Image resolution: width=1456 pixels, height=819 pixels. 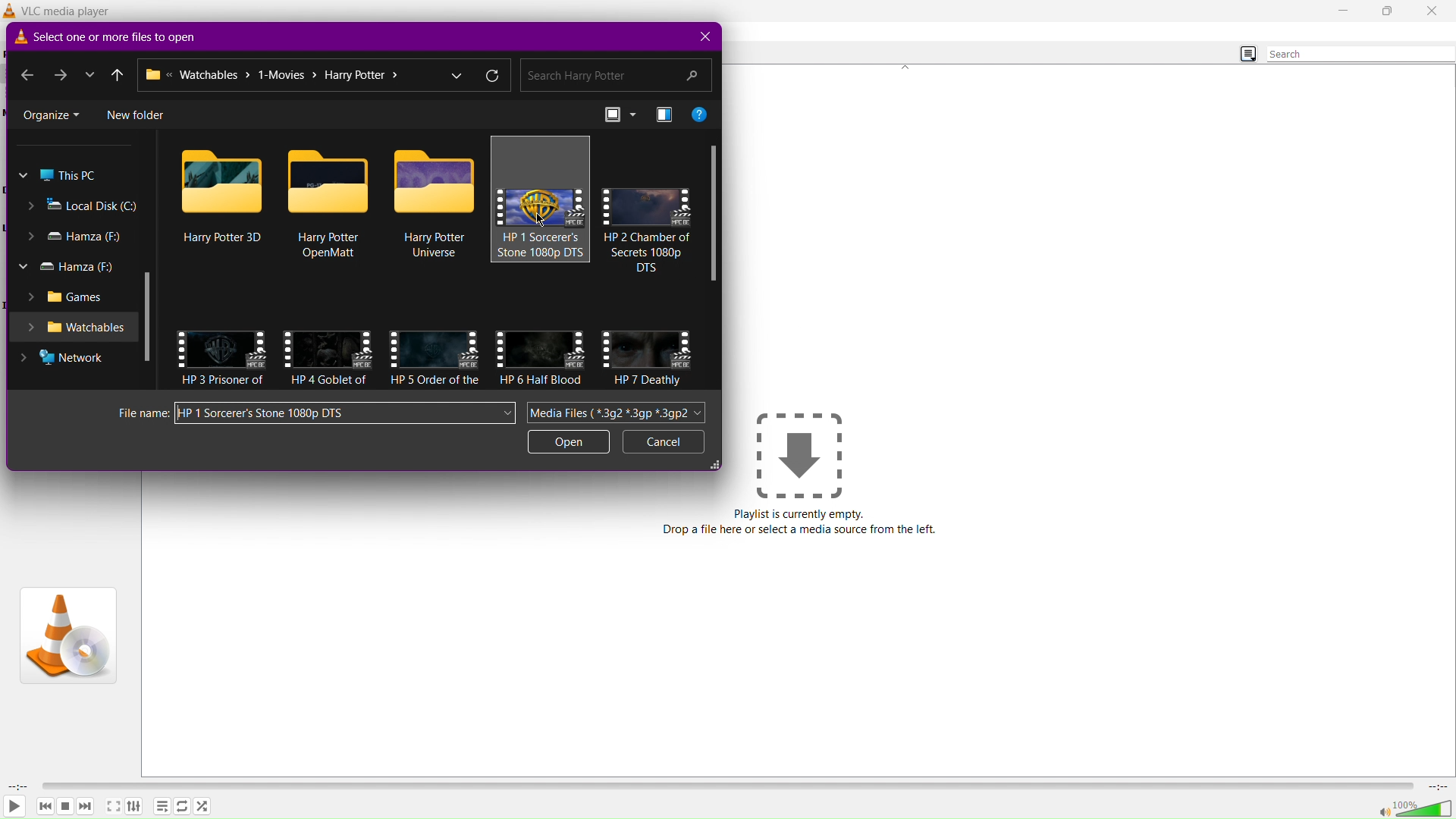 I want to click on Skip back, so click(x=45, y=806).